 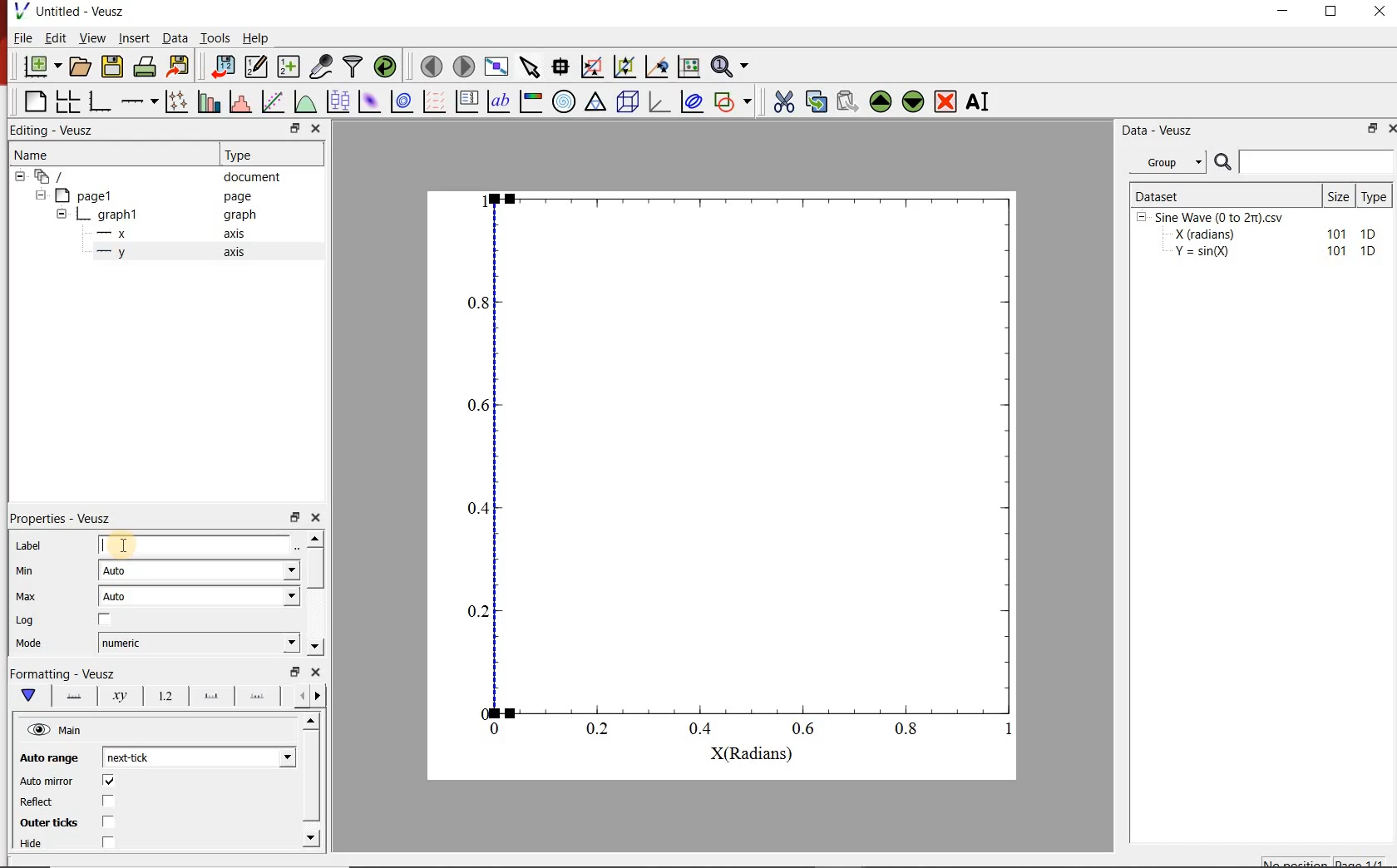 What do you see at coordinates (25, 620) in the screenshot?
I see `Log` at bounding box center [25, 620].